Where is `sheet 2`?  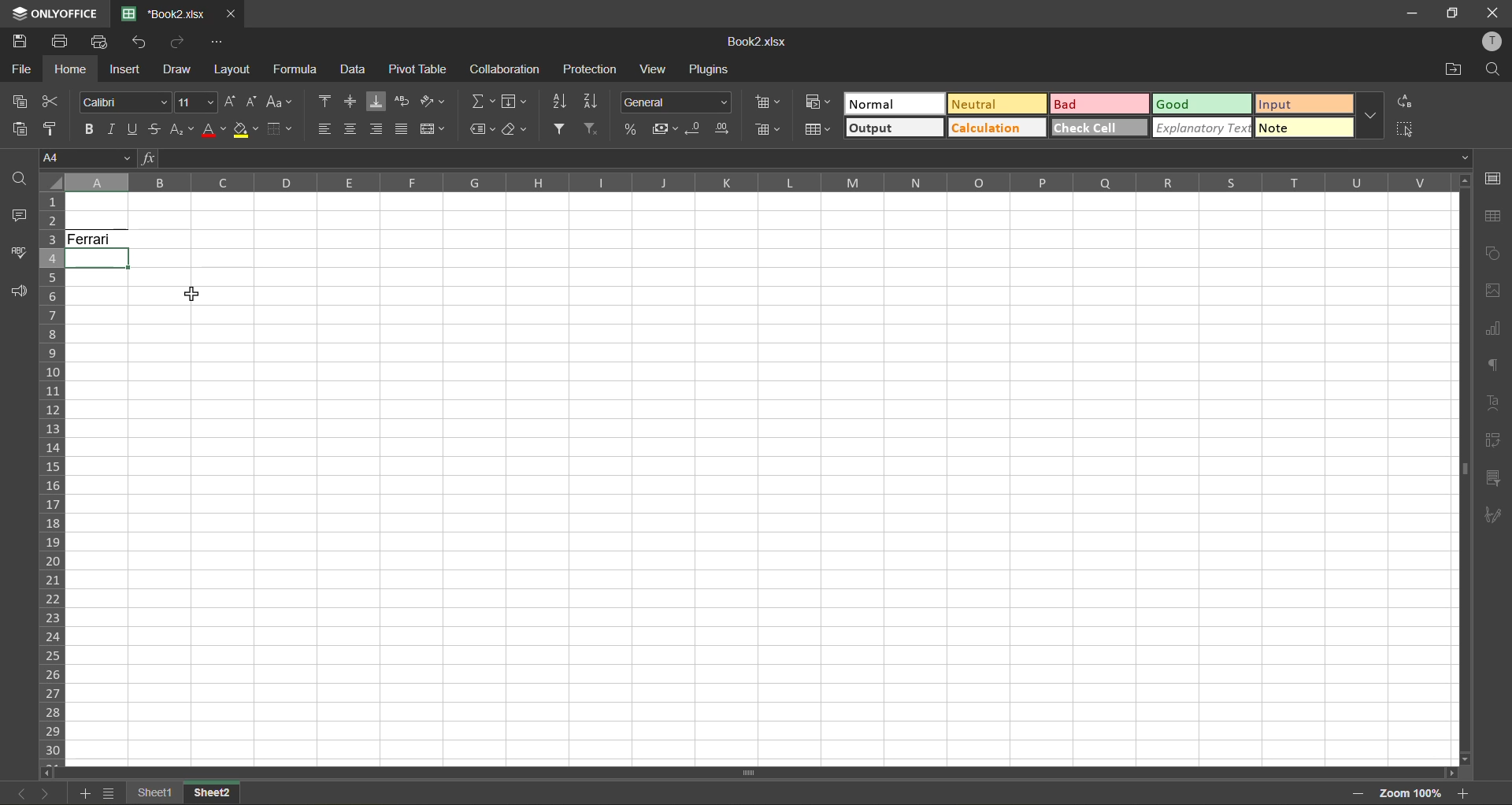
sheet 2 is located at coordinates (214, 794).